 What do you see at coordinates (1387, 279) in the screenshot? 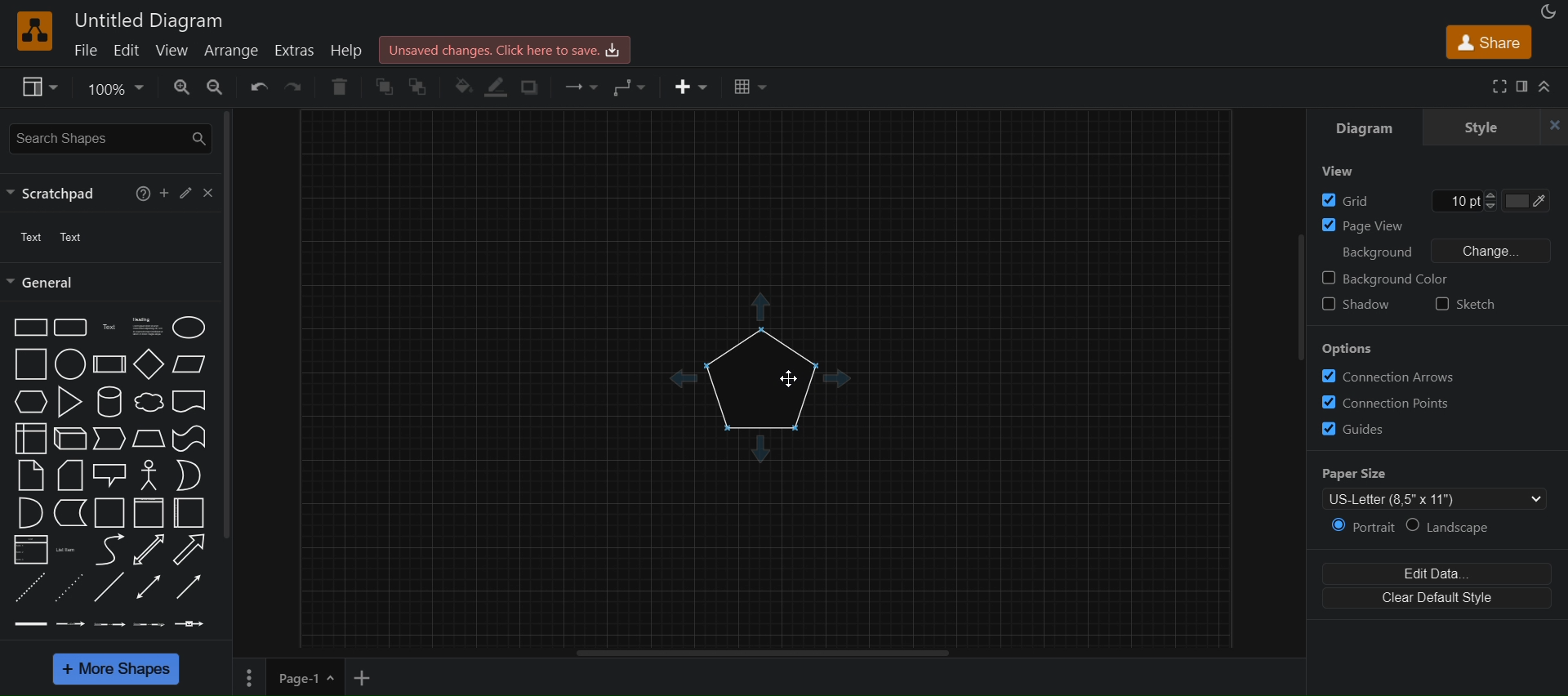
I see `Background colour toggle` at bounding box center [1387, 279].